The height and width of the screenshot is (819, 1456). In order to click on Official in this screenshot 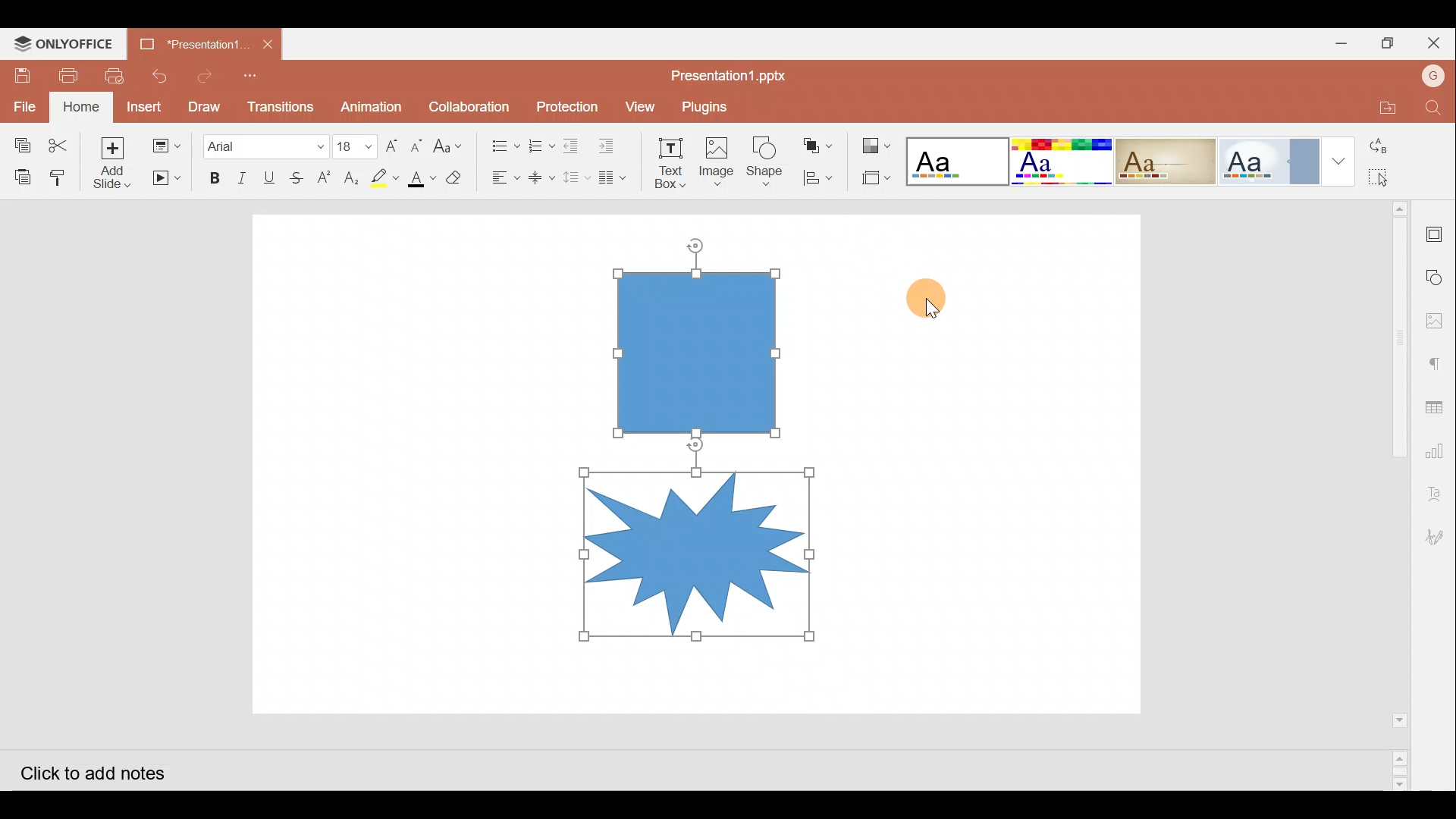, I will do `click(1271, 160)`.